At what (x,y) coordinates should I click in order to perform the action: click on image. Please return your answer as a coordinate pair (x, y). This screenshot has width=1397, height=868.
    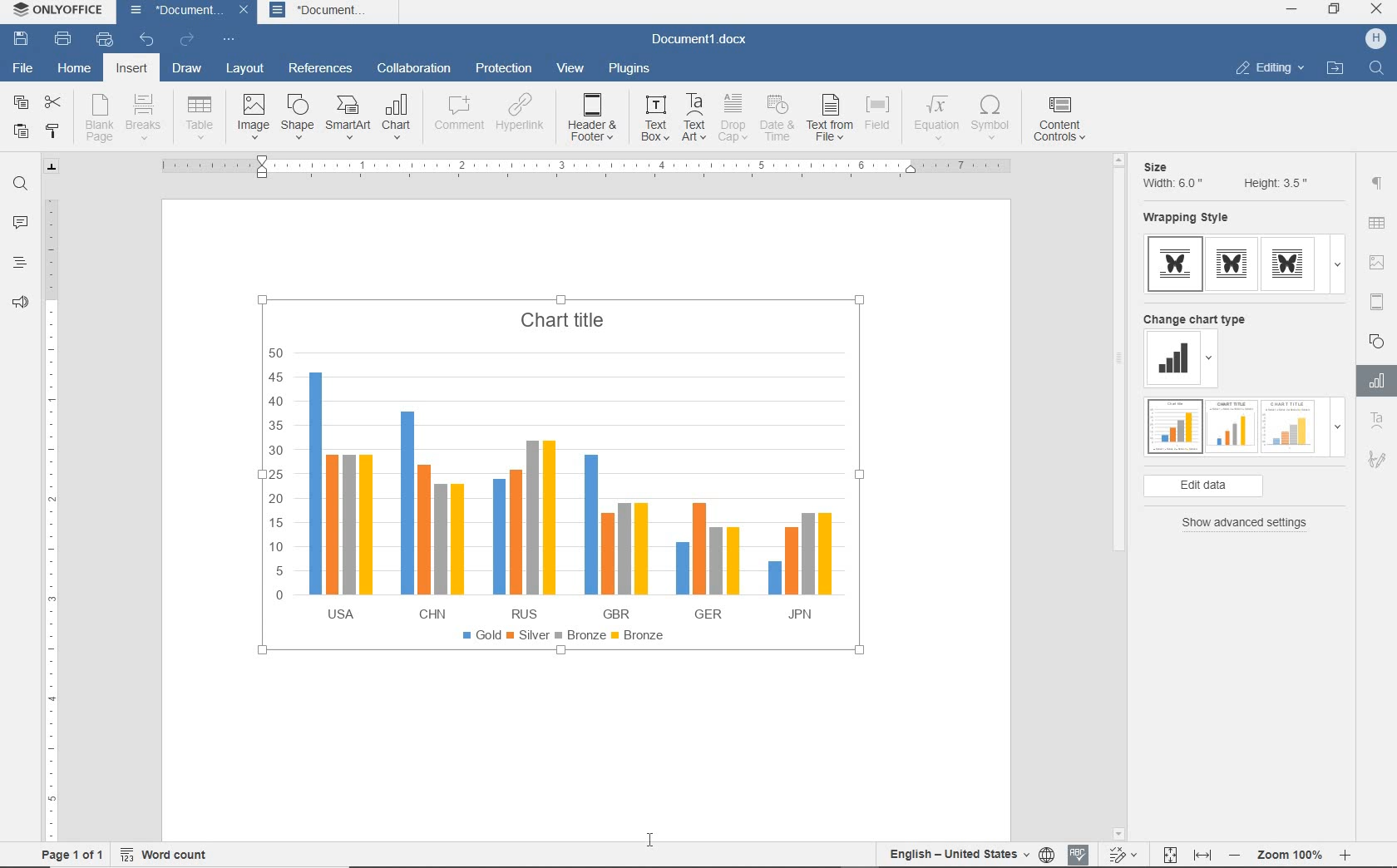
    Looking at the image, I should click on (254, 116).